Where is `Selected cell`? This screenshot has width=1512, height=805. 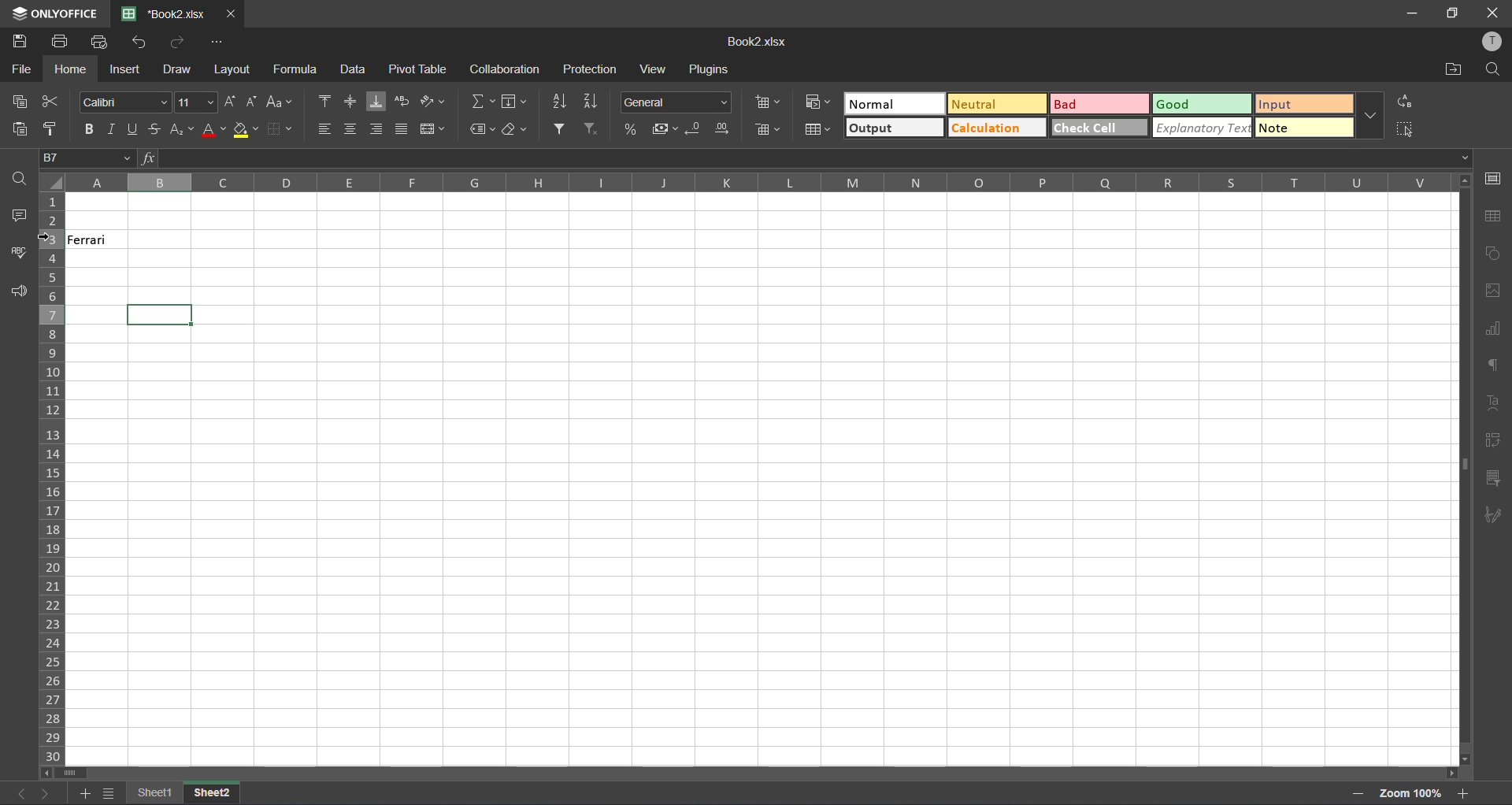 Selected cell is located at coordinates (161, 313).